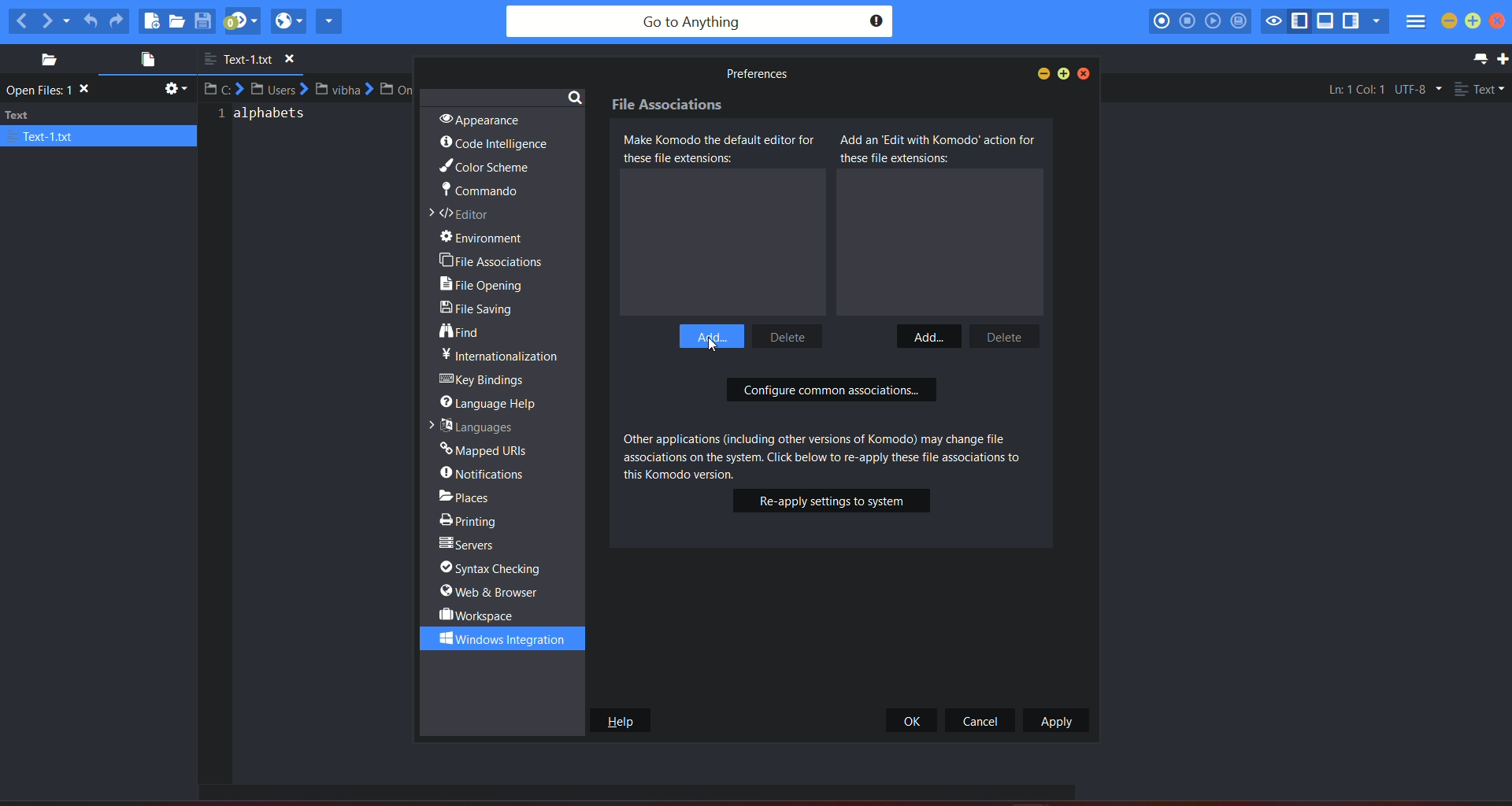 The width and height of the screenshot is (1512, 806). I want to click on open file, so click(143, 61).